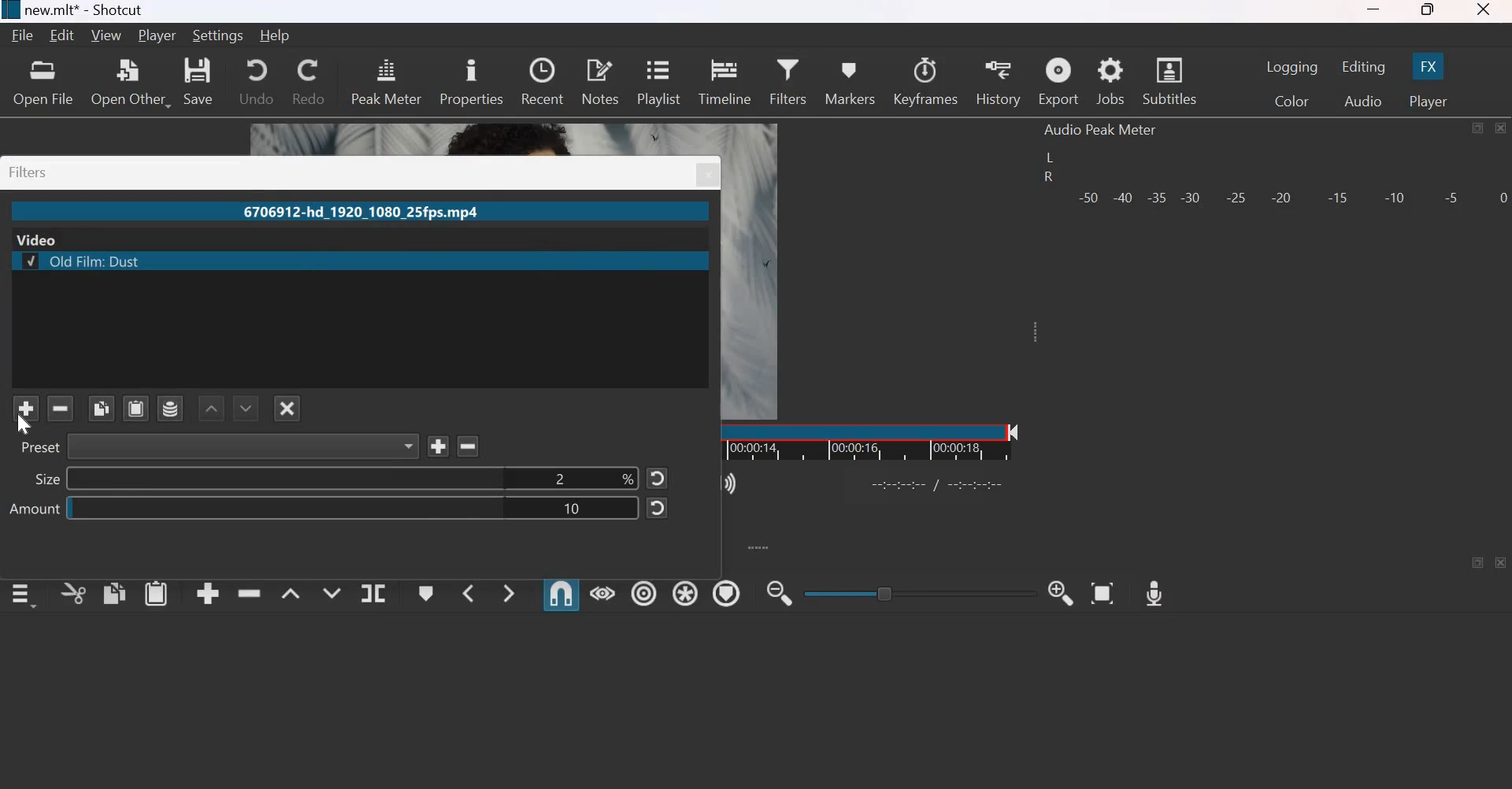 This screenshot has width=1512, height=789. What do you see at coordinates (644, 591) in the screenshot?
I see `Ripple` at bounding box center [644, 591].